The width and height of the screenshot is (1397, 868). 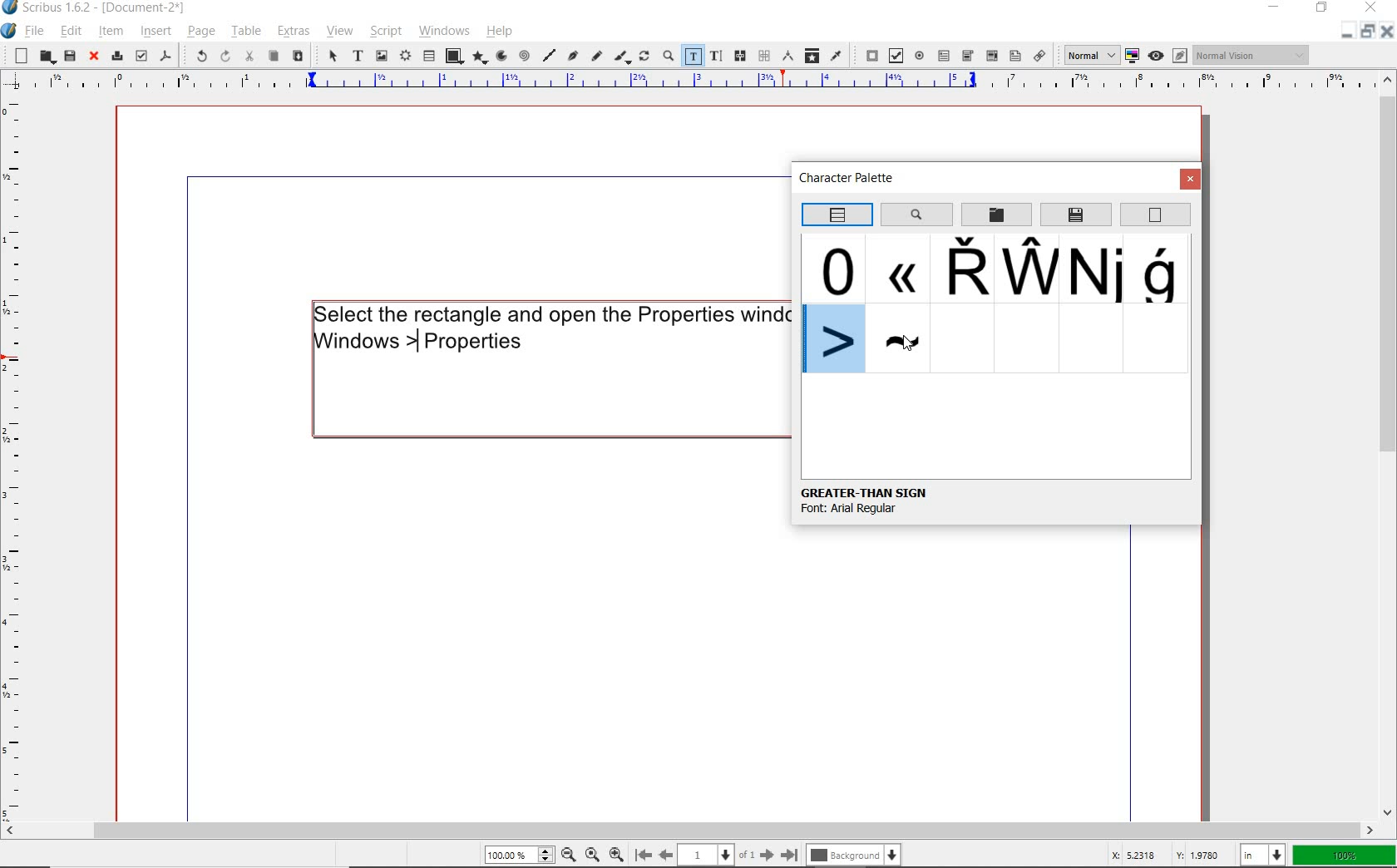 What do you see at coordinates (1014, 57) in the screenshot?
I see `Text annotation` at bounding box center [1014, 57].